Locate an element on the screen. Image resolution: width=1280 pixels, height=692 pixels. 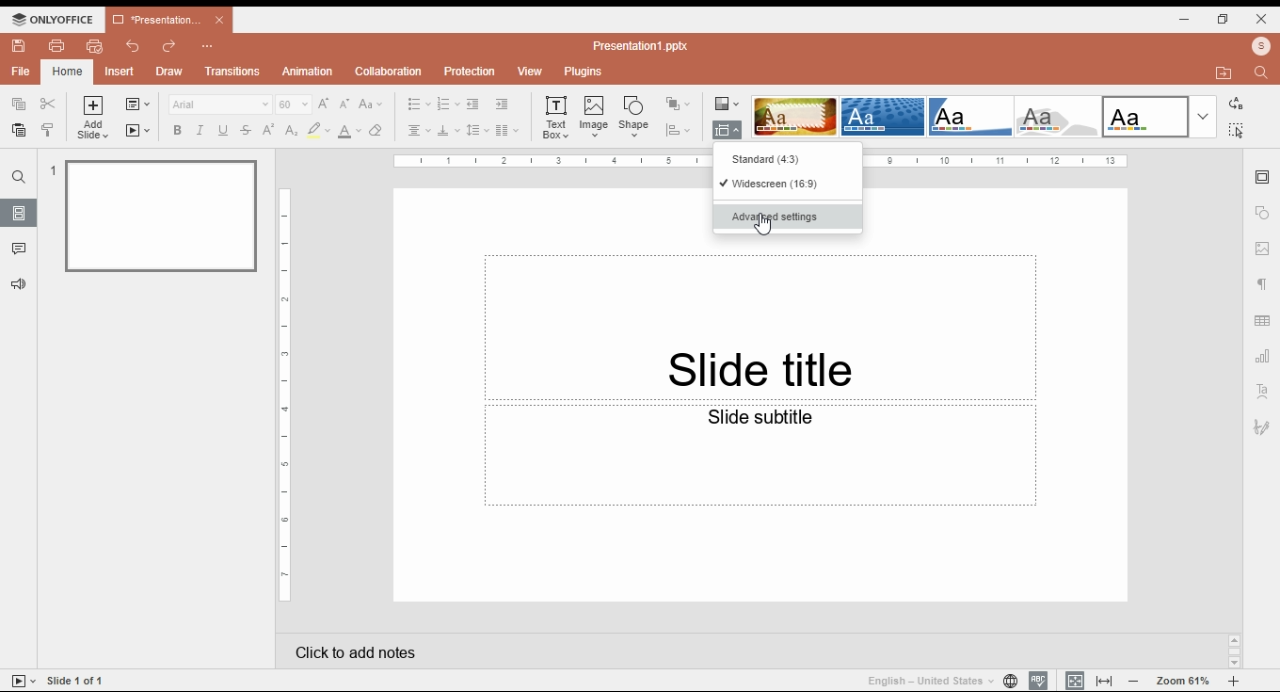
Slide subtitle is located at coordinates (761, 457).